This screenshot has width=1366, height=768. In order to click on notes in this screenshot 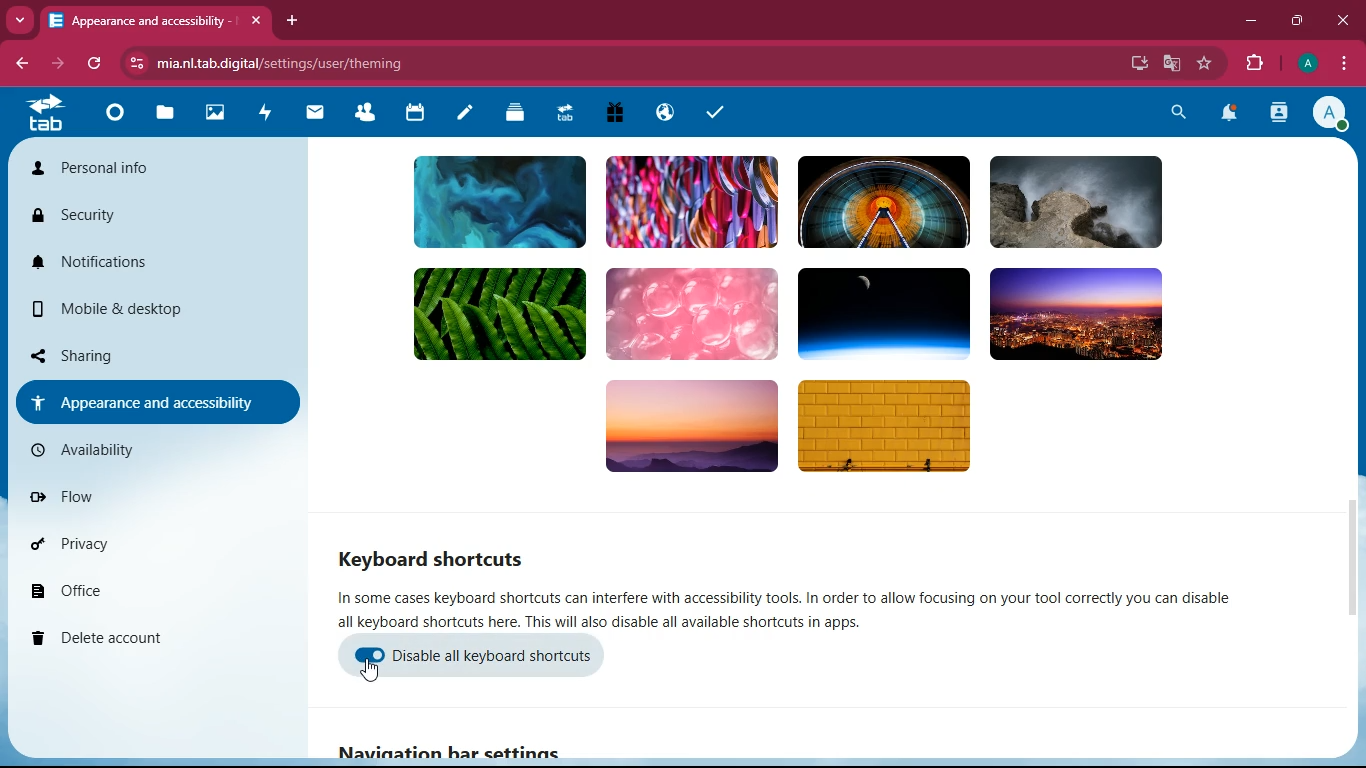, I will do `click(464, 115)`.